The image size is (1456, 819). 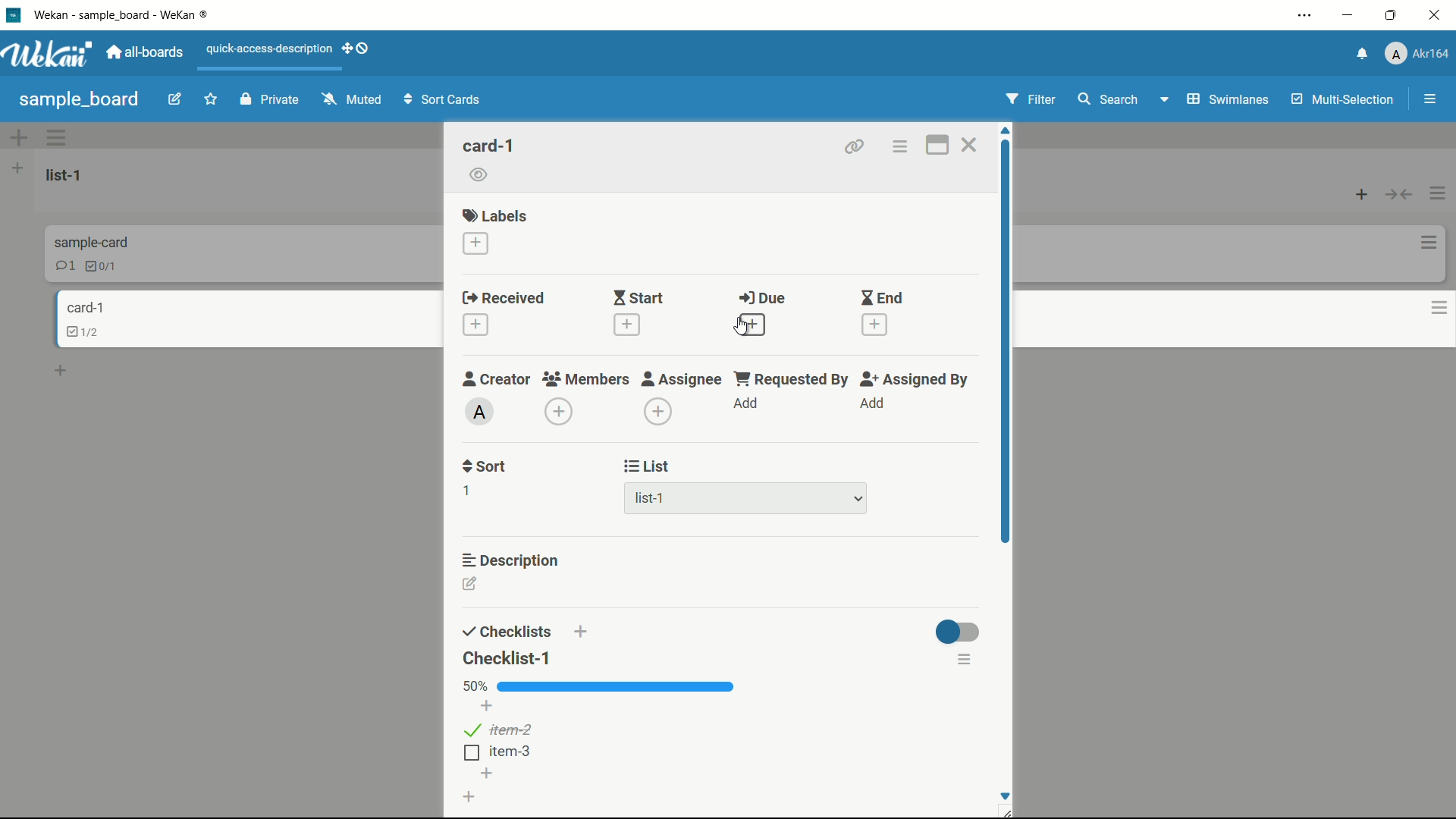 What do you see at coordinates (473, 686) in the screenshot?
I see `50%` at bounding box center [473, 686].